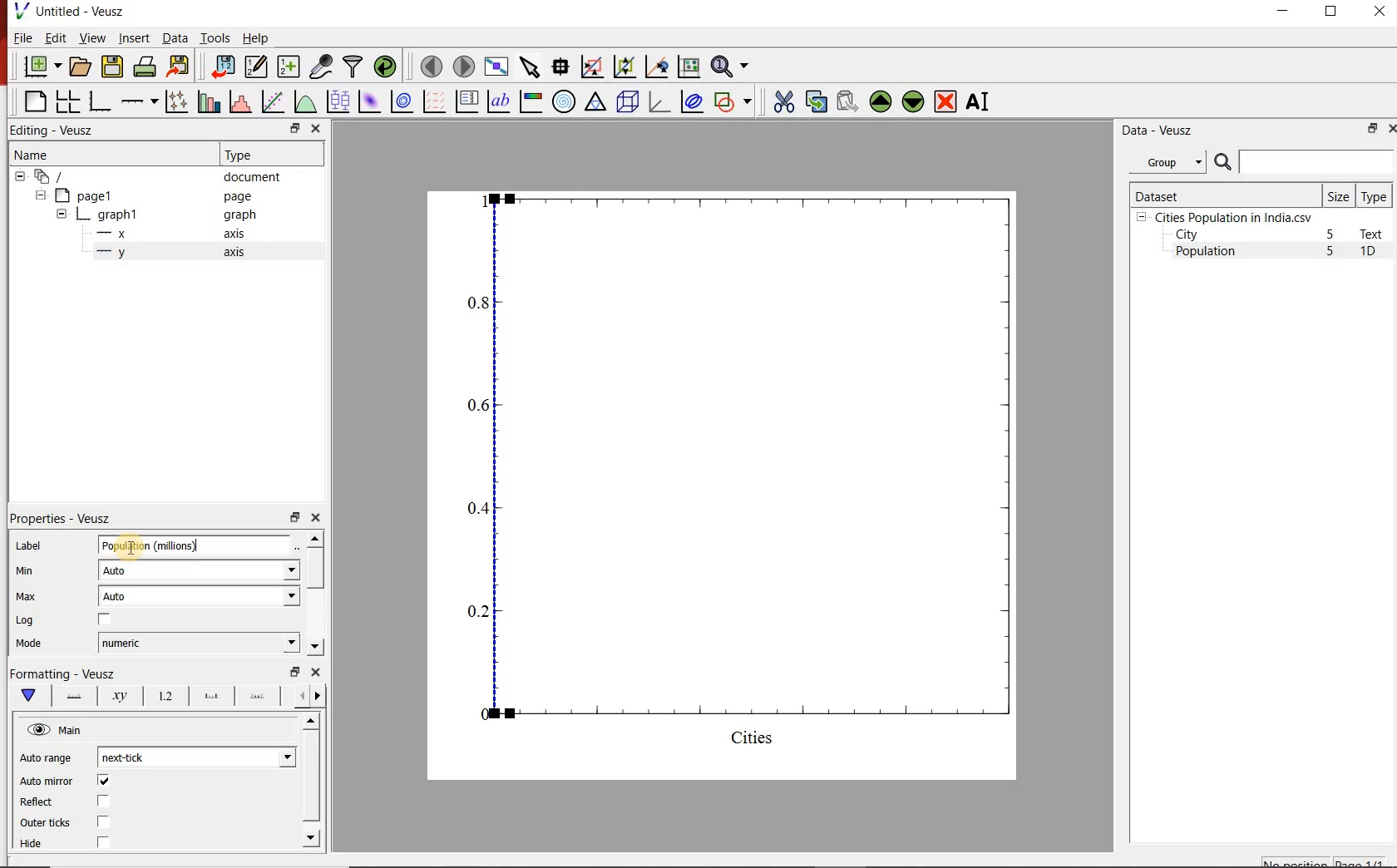 The height and width of the screenshot is (868, 1397). What do you see at coordinates (313, 782) in the screenshot?
I see `scrollbar` at bounding box center [313, 782].